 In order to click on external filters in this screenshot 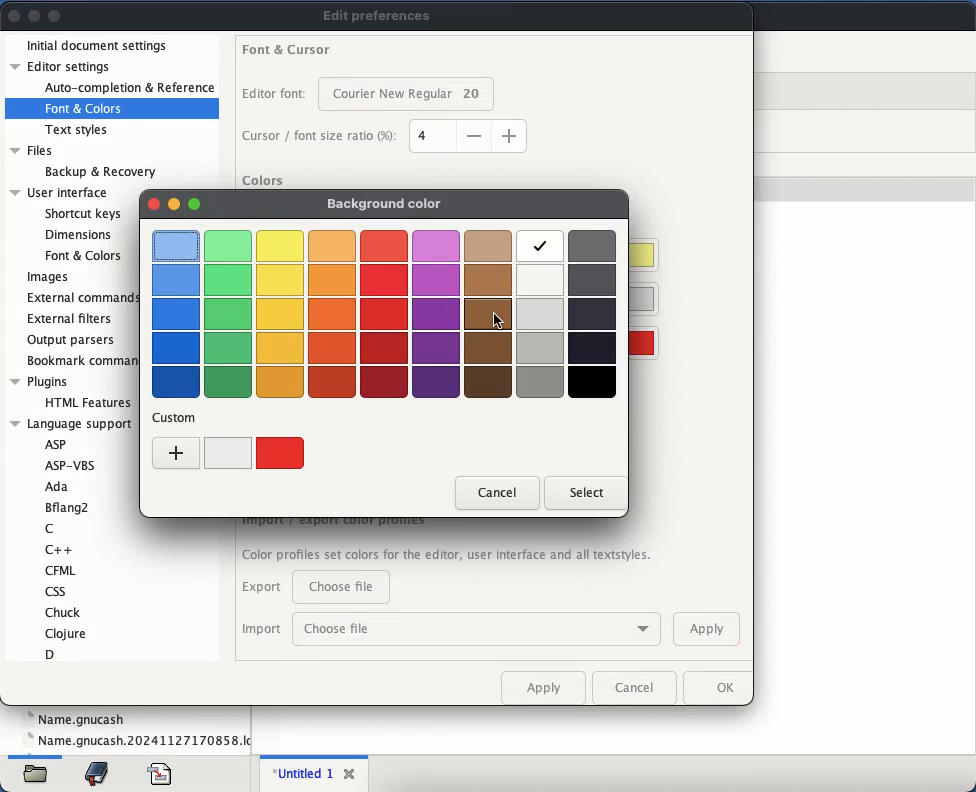, I will do `click(69, 318)`.